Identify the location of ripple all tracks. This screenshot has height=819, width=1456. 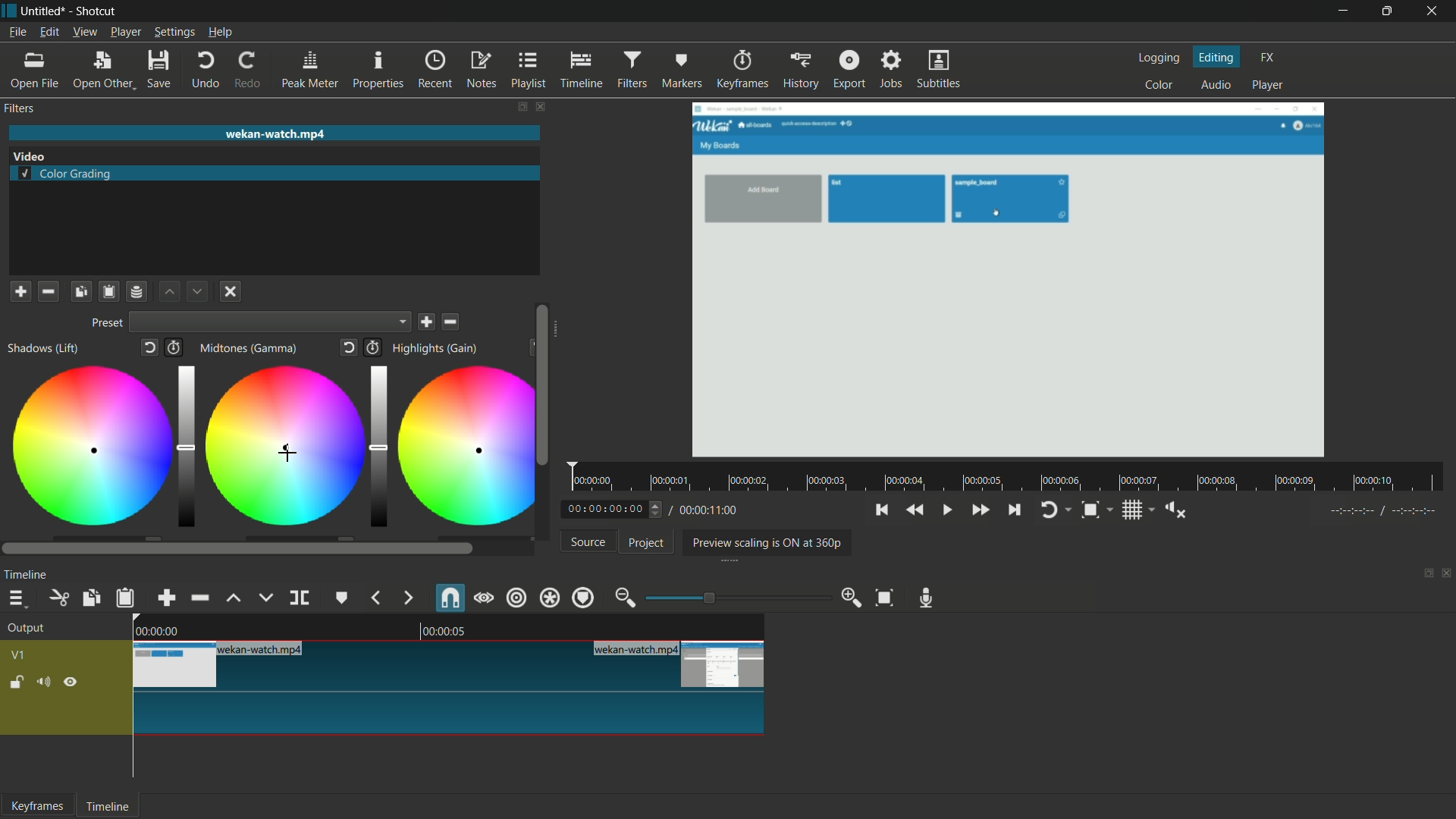
(548, 598).